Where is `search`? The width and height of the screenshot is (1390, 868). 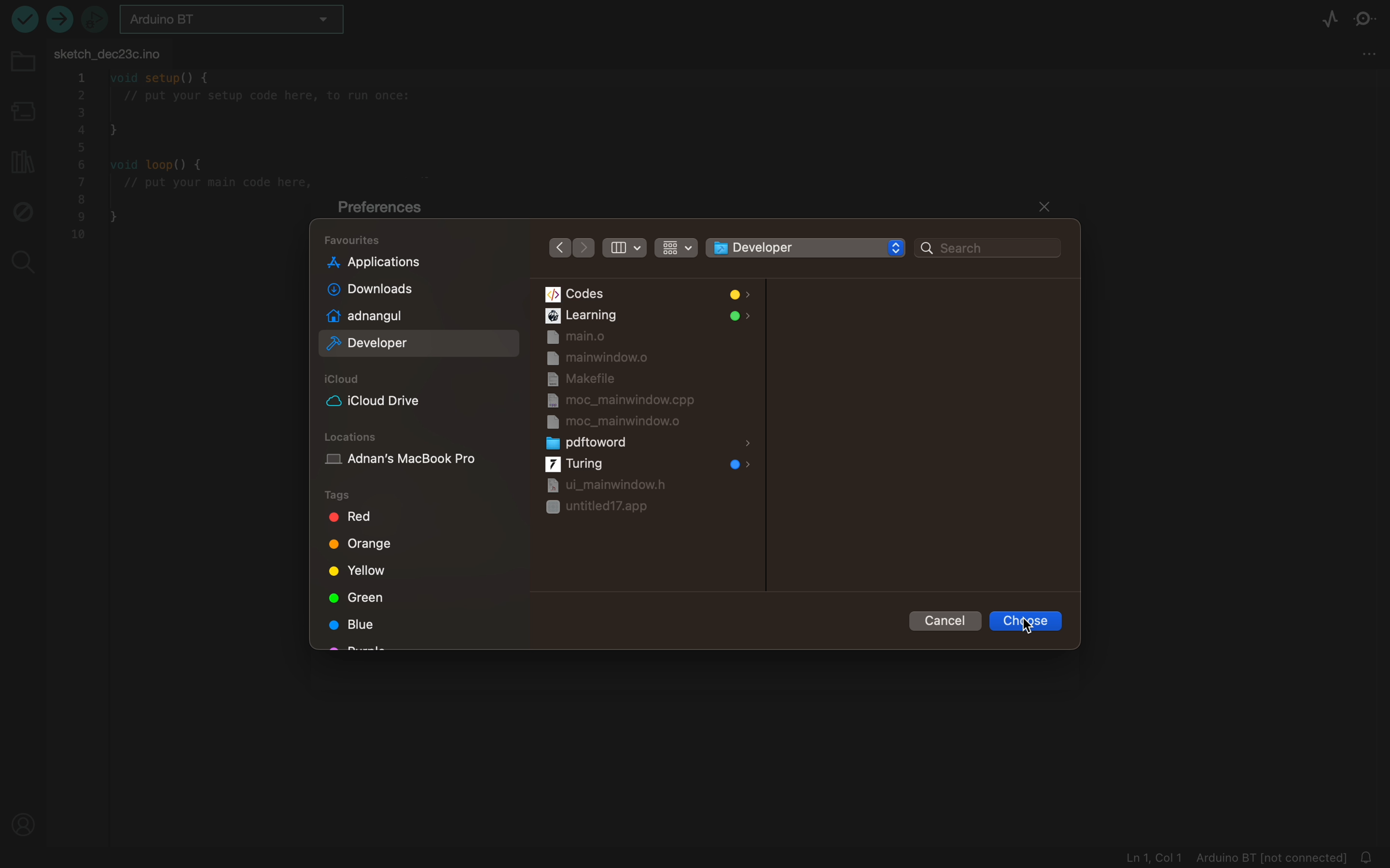
search is located at coordinates (991, 247).